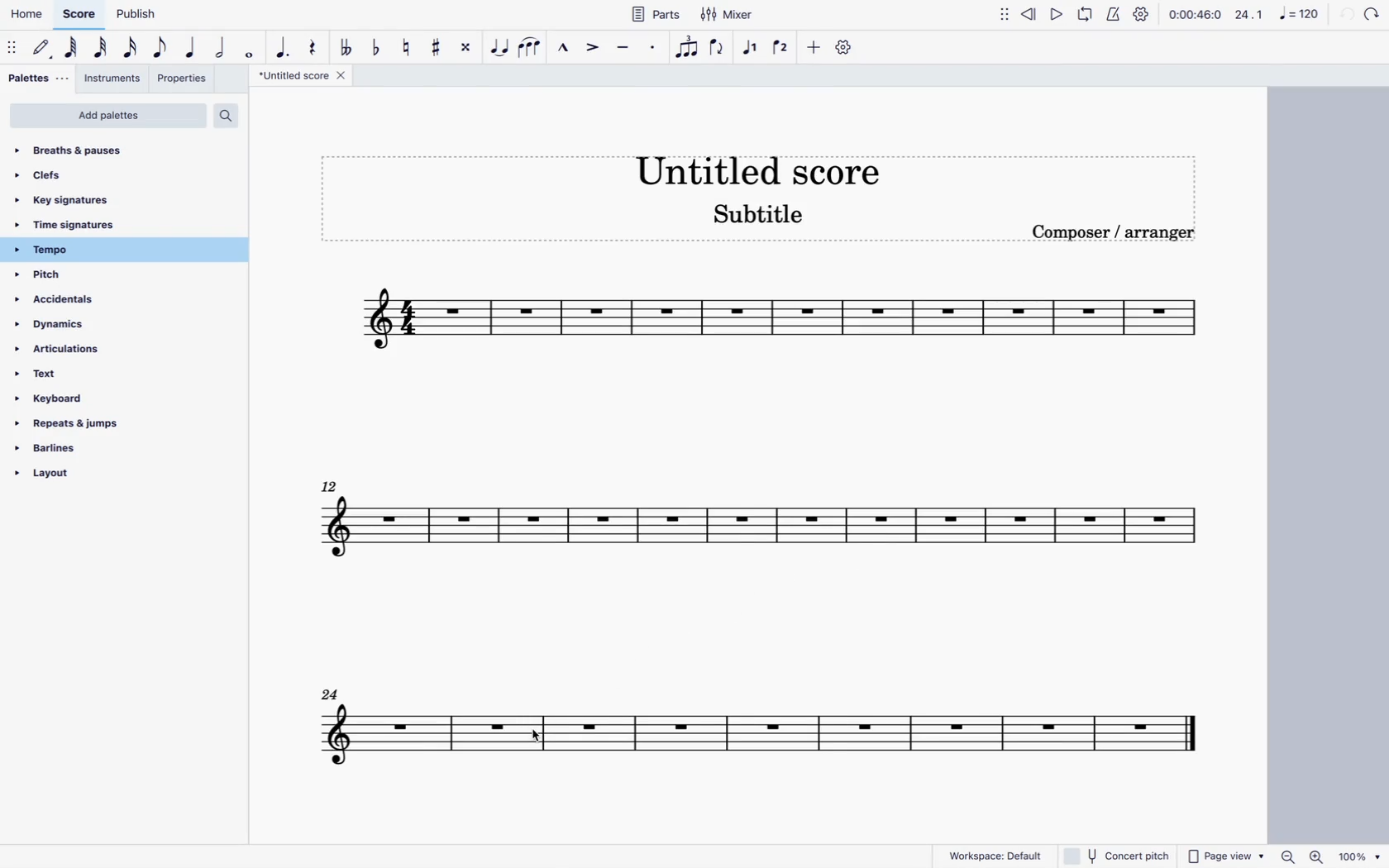 Image resolution: width=1389 pixels, height=868 pixels. Describe the element at coordinates (133, 17) in the screenshot. I see `publish` at that location.